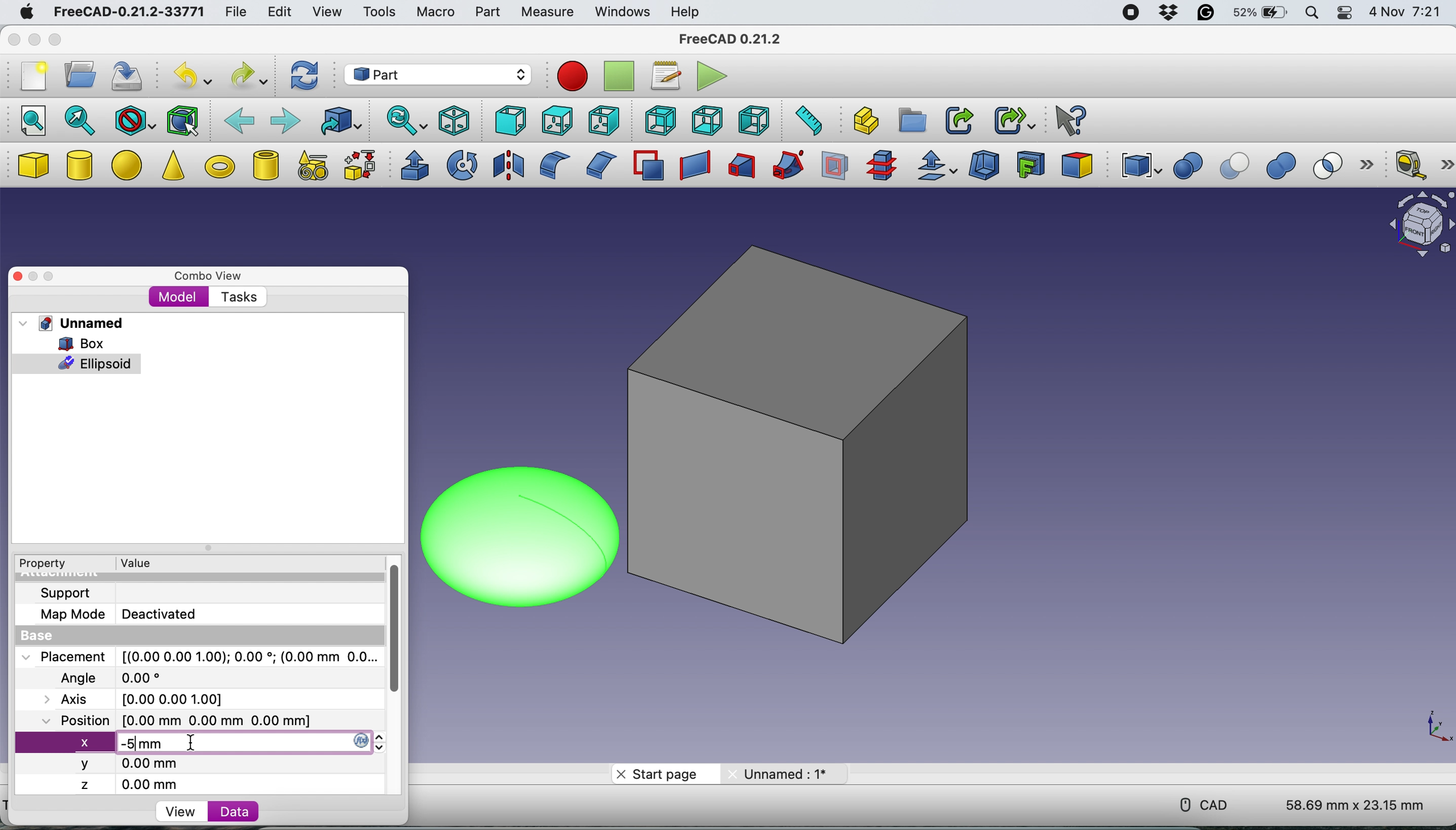  What do you see at coordinates (1166, 13) in the screenshot?
I see `dropbox` at bounding box center [1166, 13].